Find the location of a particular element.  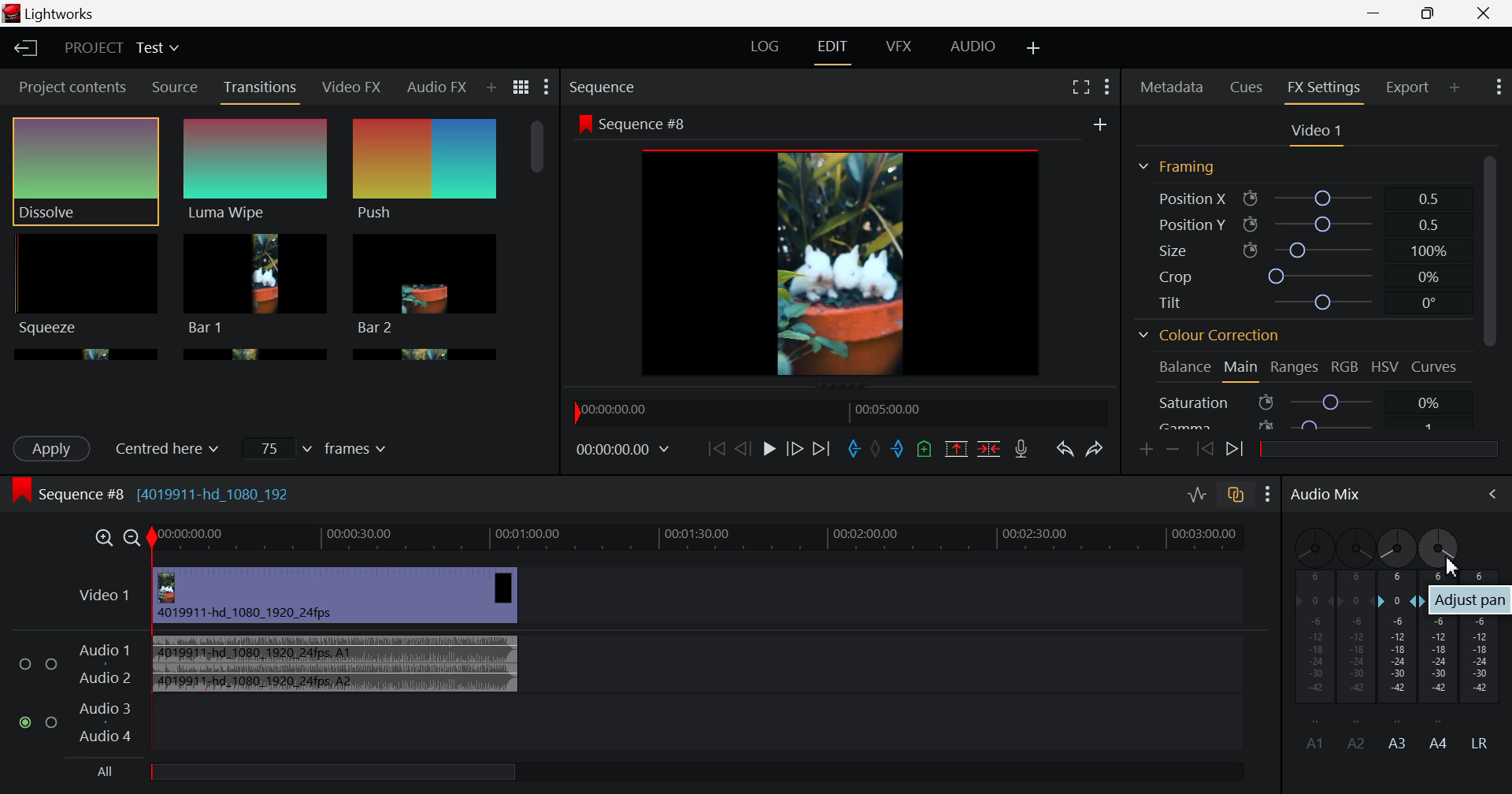

Position X is located at coordinates (1301, 198).